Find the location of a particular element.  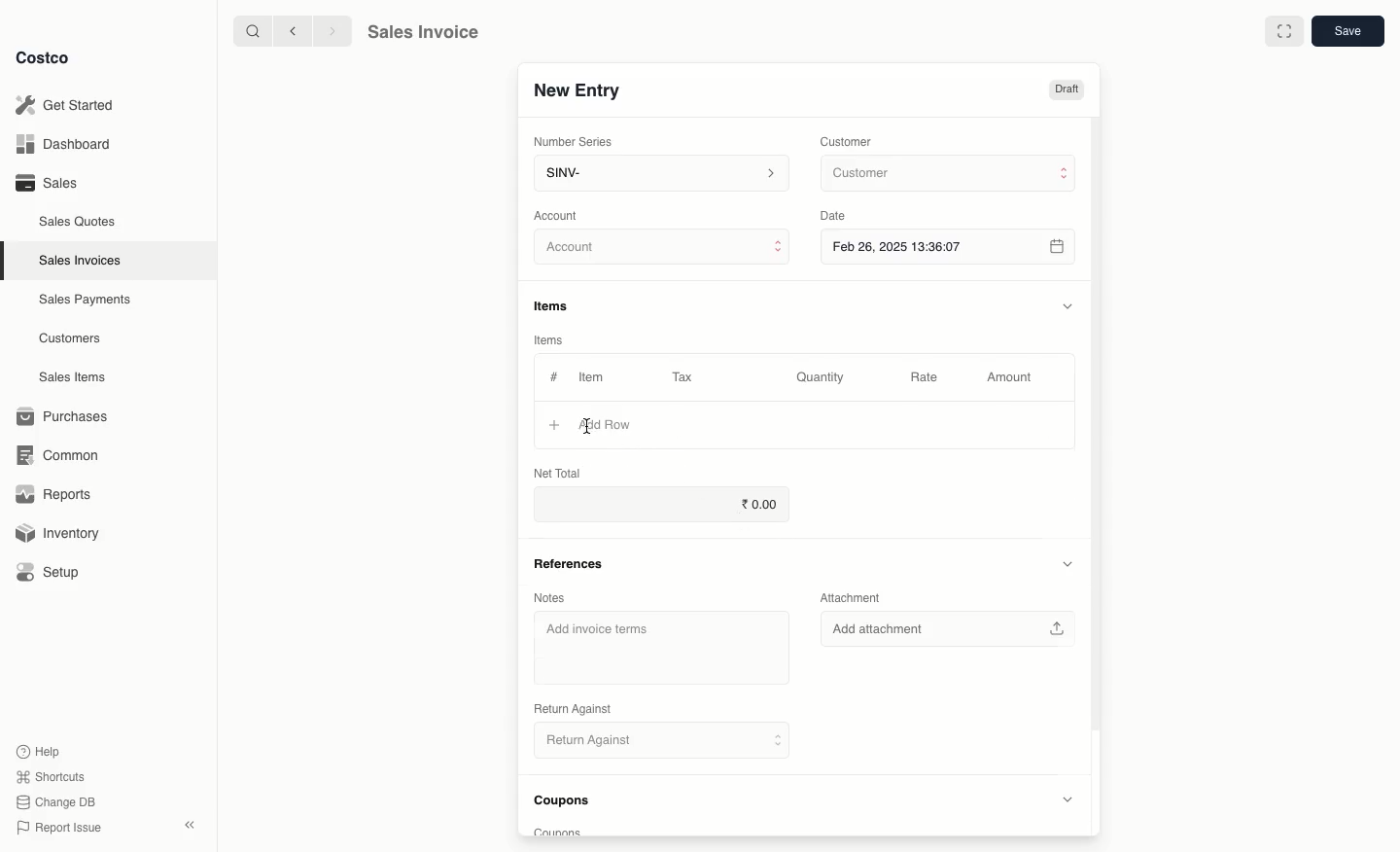

‘Return Against is located at coordinates (572, 708).